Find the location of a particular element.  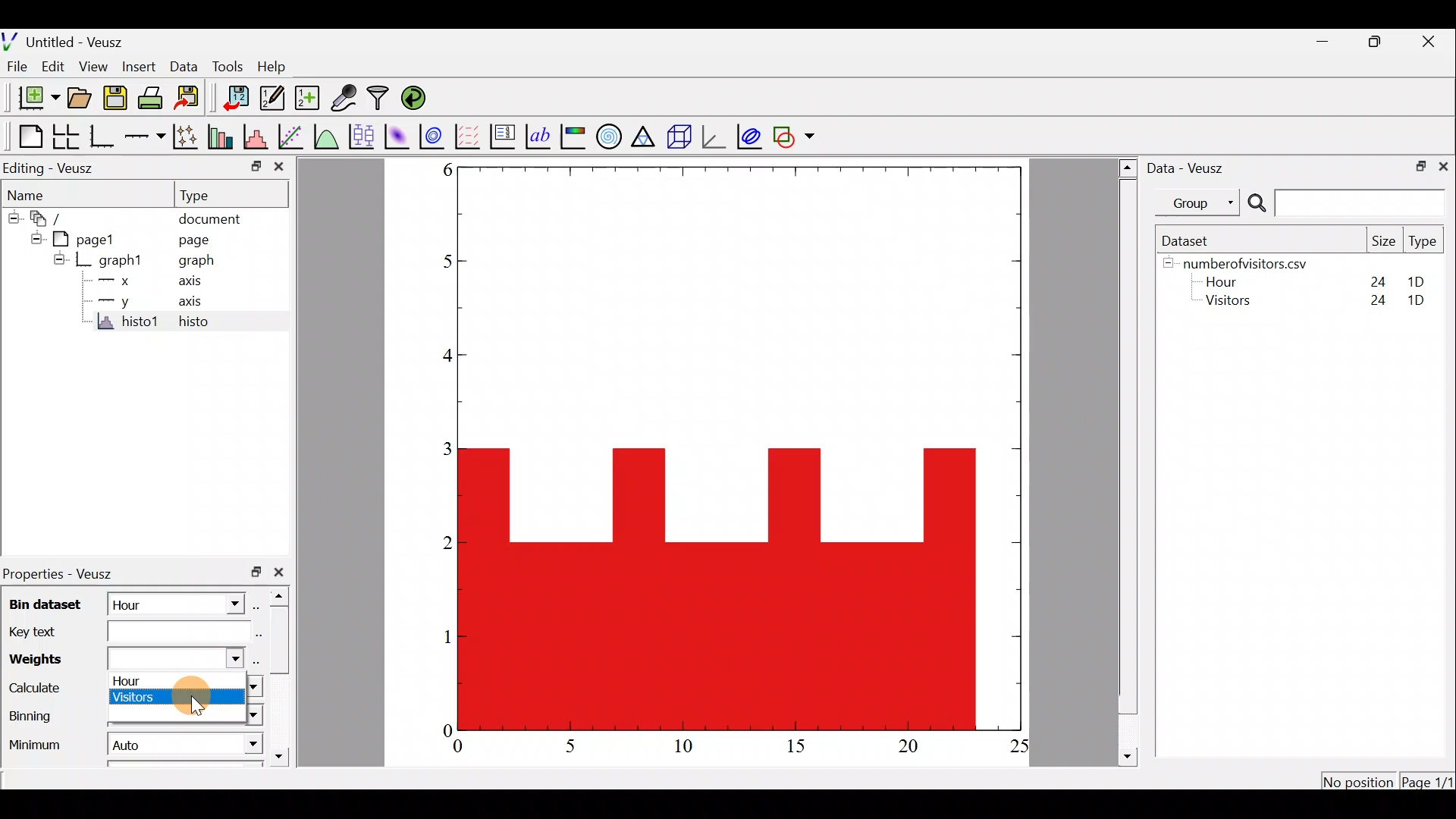

Hour is located at coordinates (140, 682).